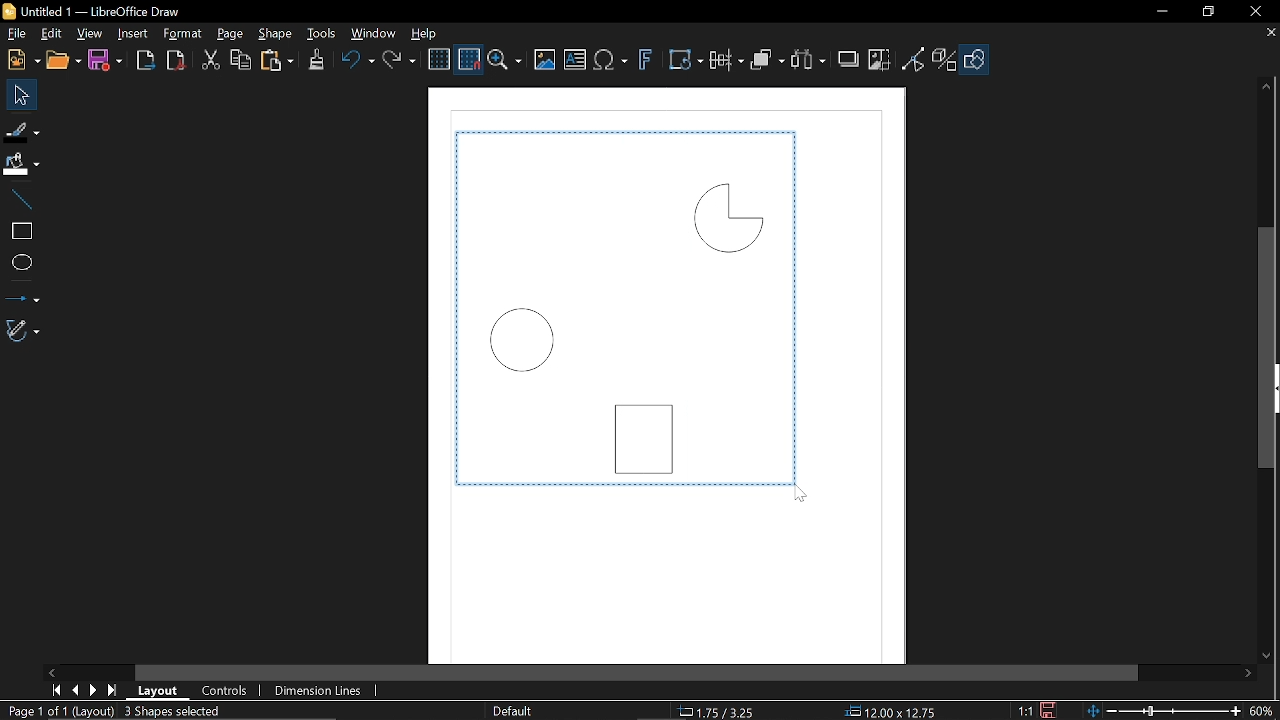  Describe the element at coordinates (1162, 712) in the screenshot. I see `Change zoom` at that location.